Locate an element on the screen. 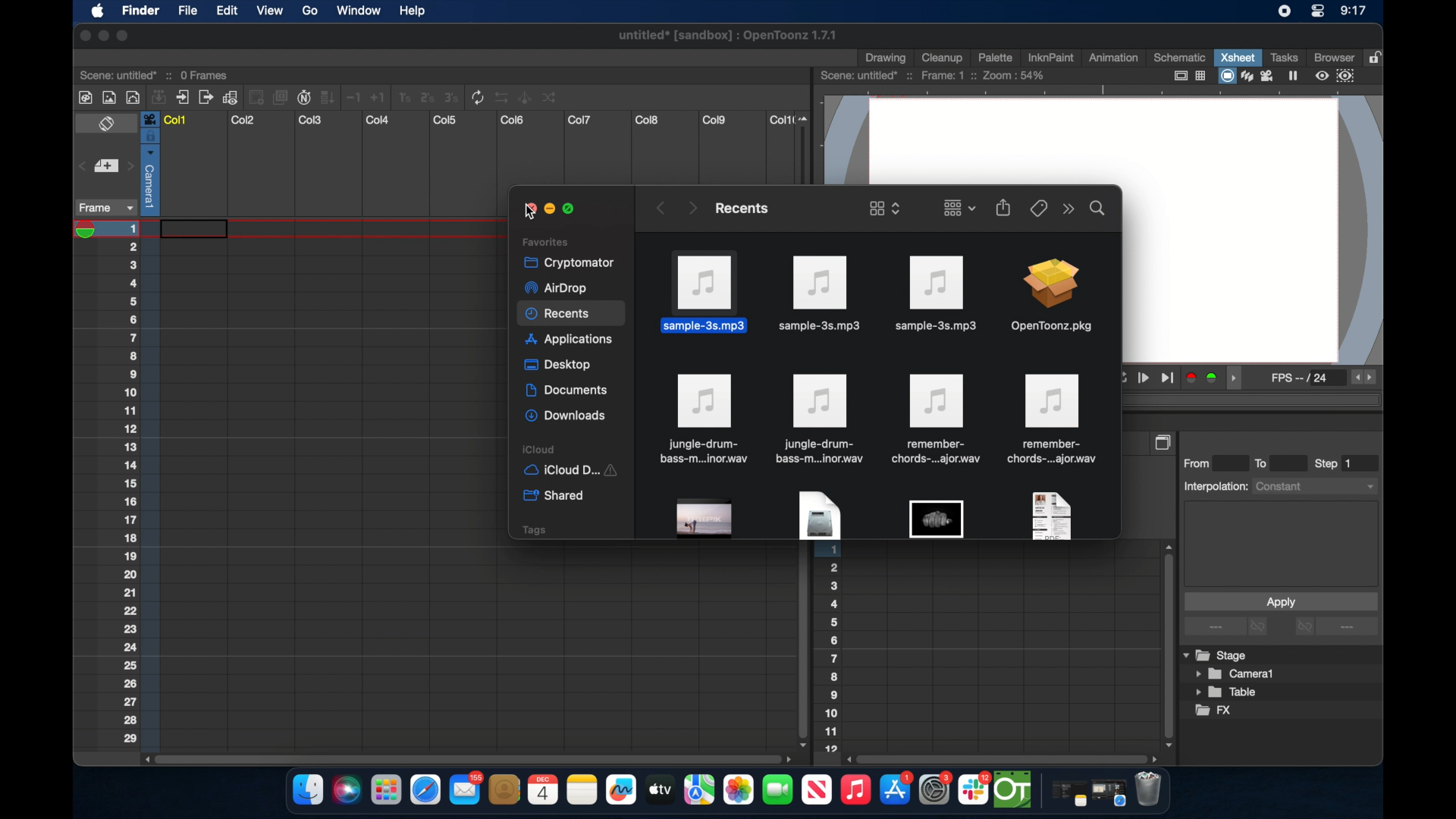 The width and height of the screenshot is (1456, 819). scene is located at coordinates (934, 76).